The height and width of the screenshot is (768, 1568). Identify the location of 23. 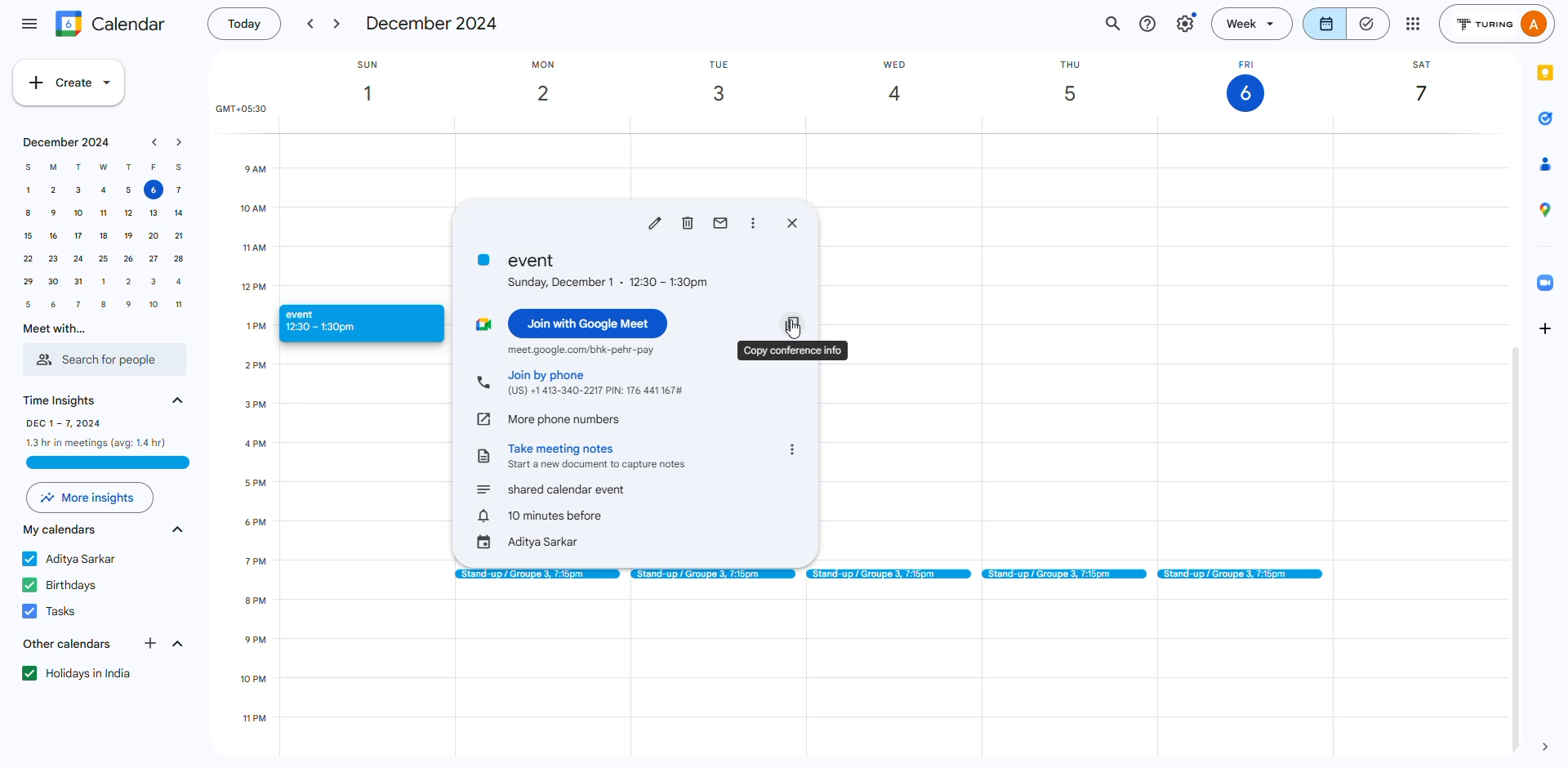
(55, 260).